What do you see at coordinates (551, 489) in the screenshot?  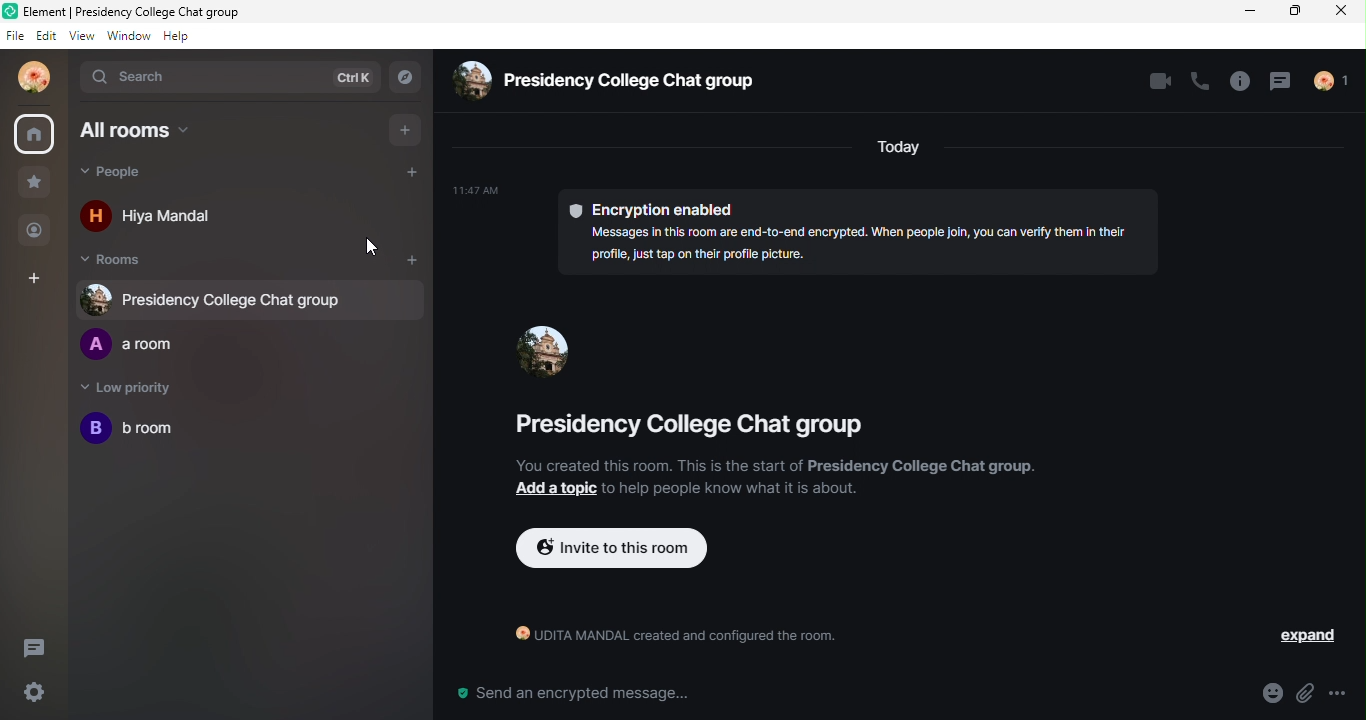 I see `‘Add a topic` at bounding box center [551, 489].